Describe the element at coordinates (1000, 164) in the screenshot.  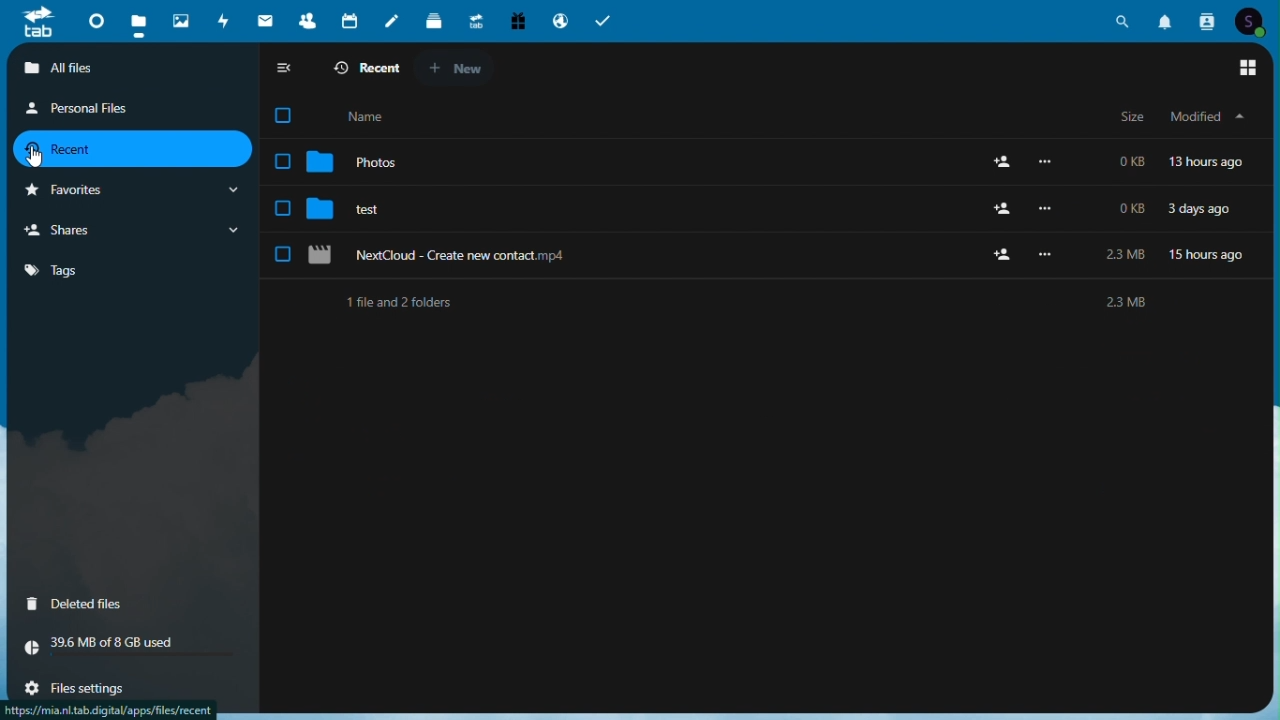
I see `add user` at that location.